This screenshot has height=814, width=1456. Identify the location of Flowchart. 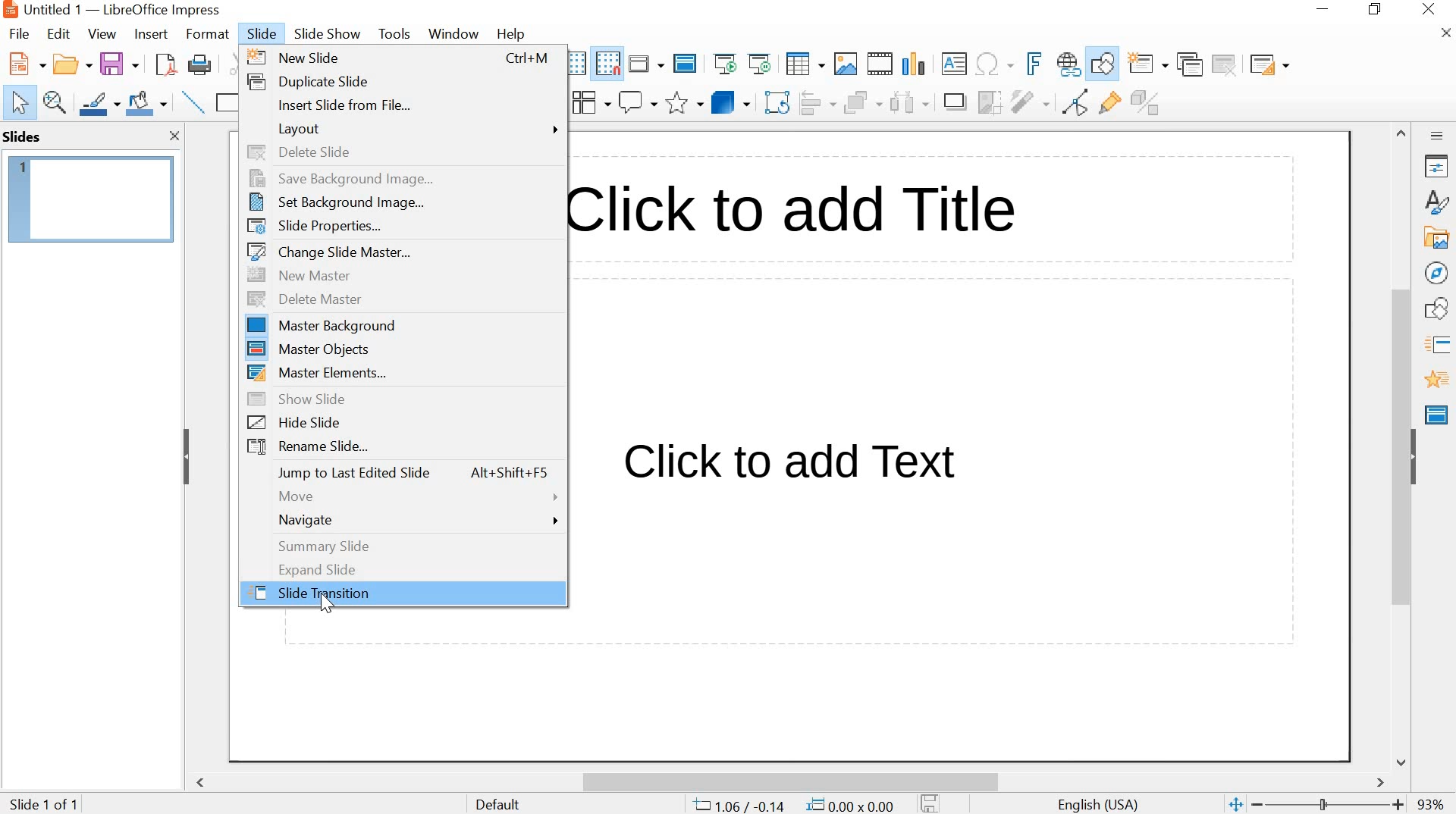
(590, 102).